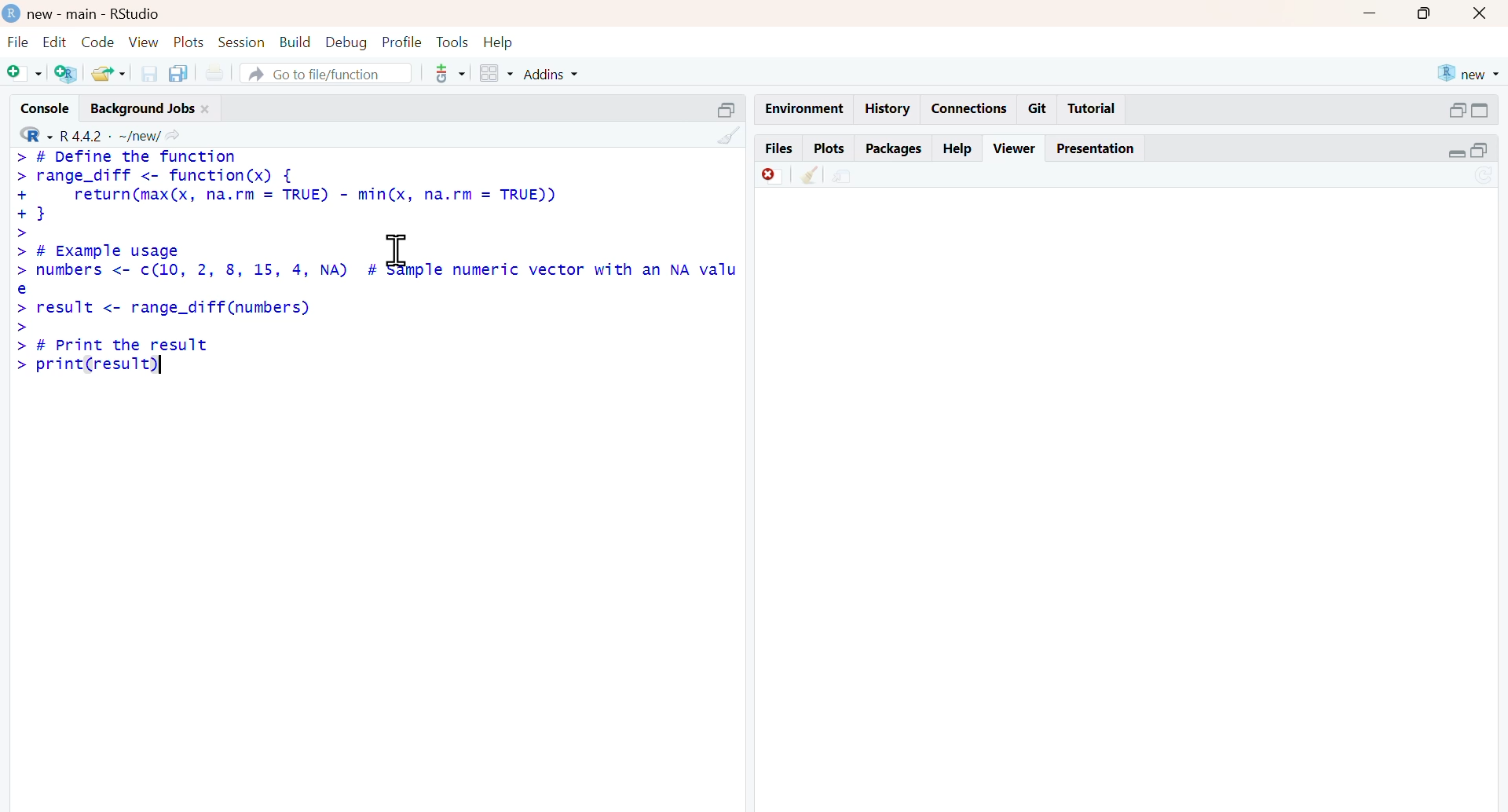 This screenshot has width=1508, height=812. What do you see at coordinates (377, 291) in the screenshot?
I see `>> # Example usage > numbers <- c(10, 2, 8, 15, 4, NA) # sample numeric vector with an NA value> result <- range_diff (numbers)>> # Print the result` at bounding box center [377, 291].